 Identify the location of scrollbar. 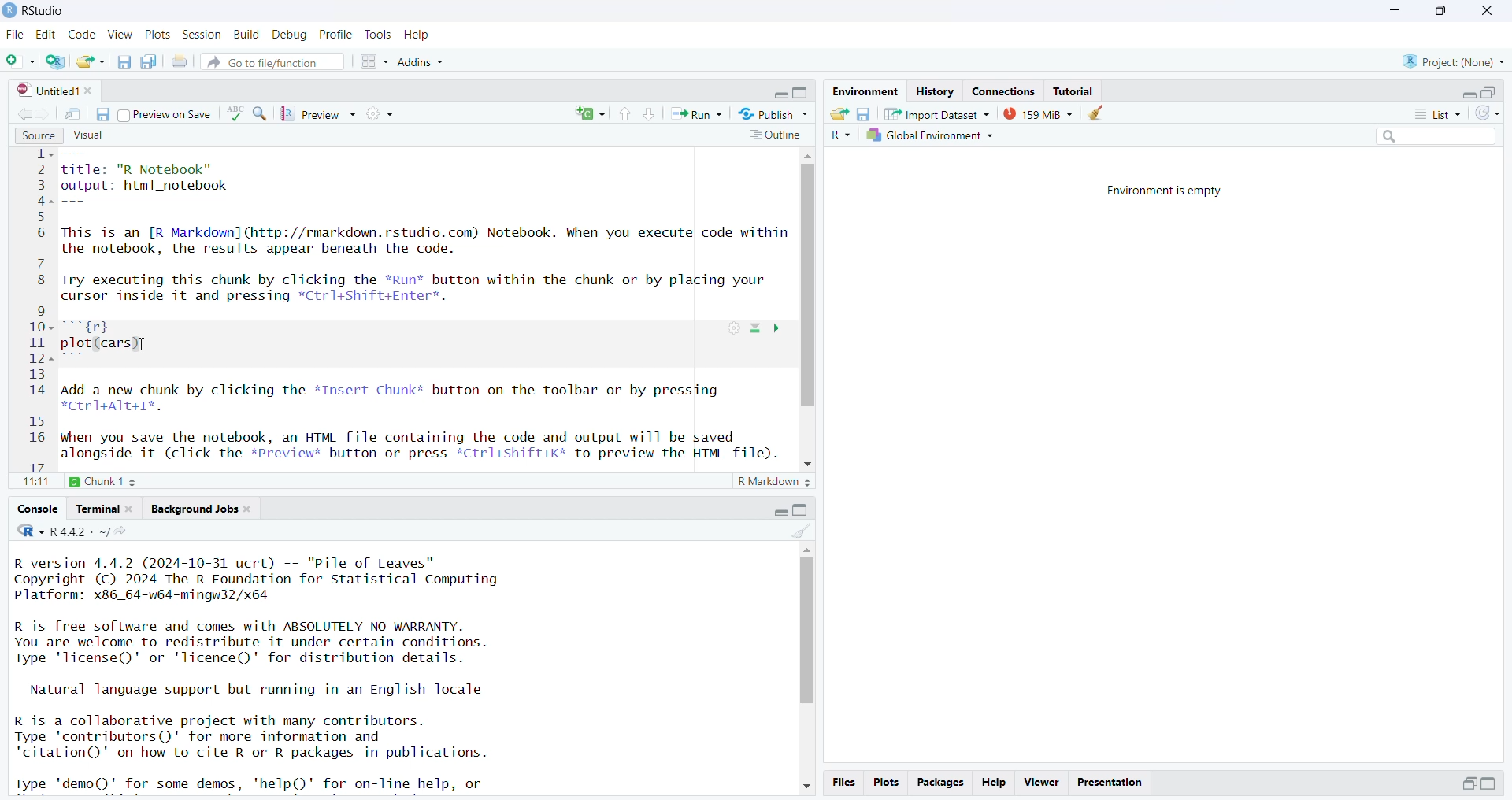
(806, 669).